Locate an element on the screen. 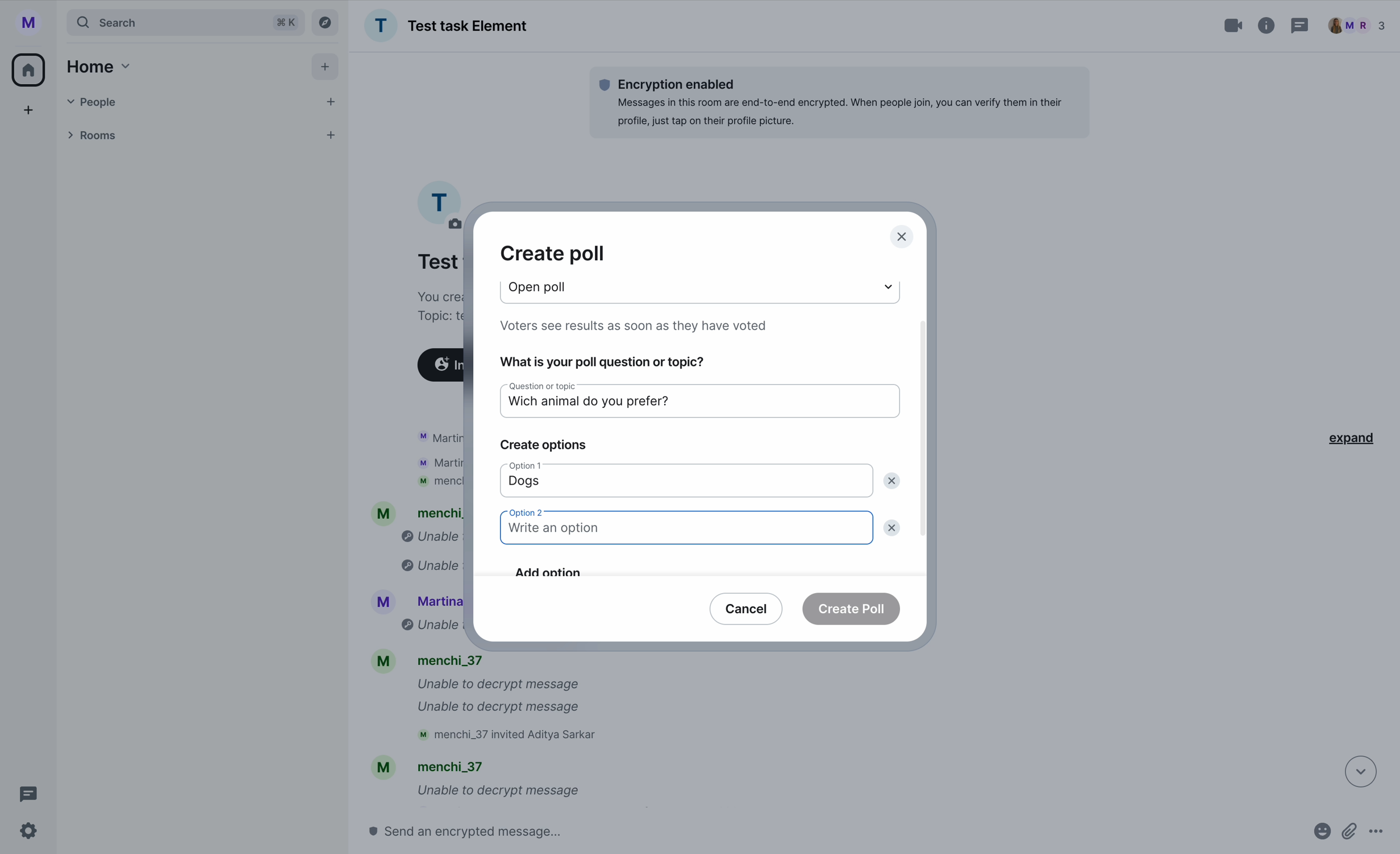  which animal do you prefer is located at coordinates (585, 403).